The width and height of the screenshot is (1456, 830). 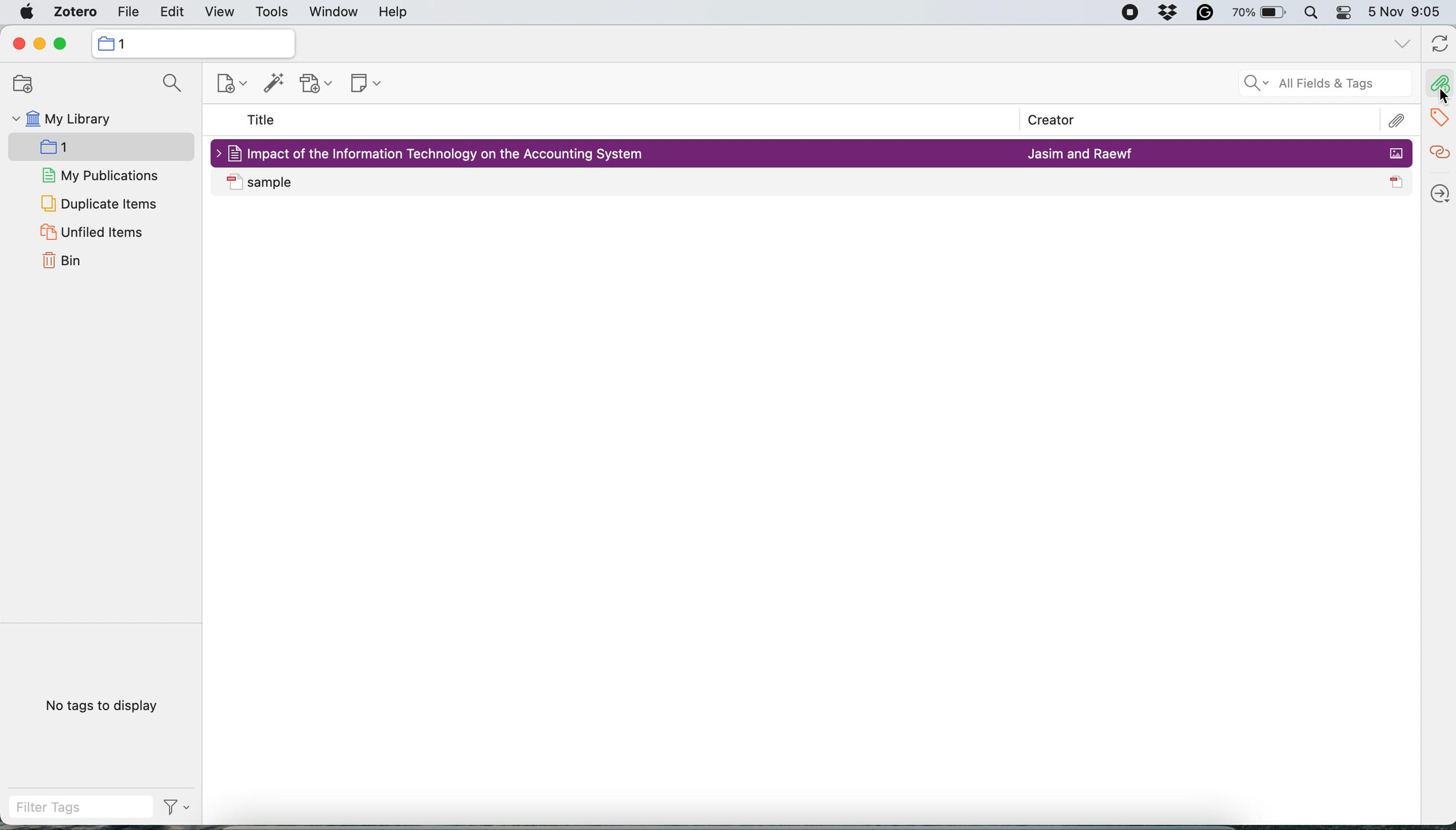 I want to click on cursor, so click(x=1436, y=99).